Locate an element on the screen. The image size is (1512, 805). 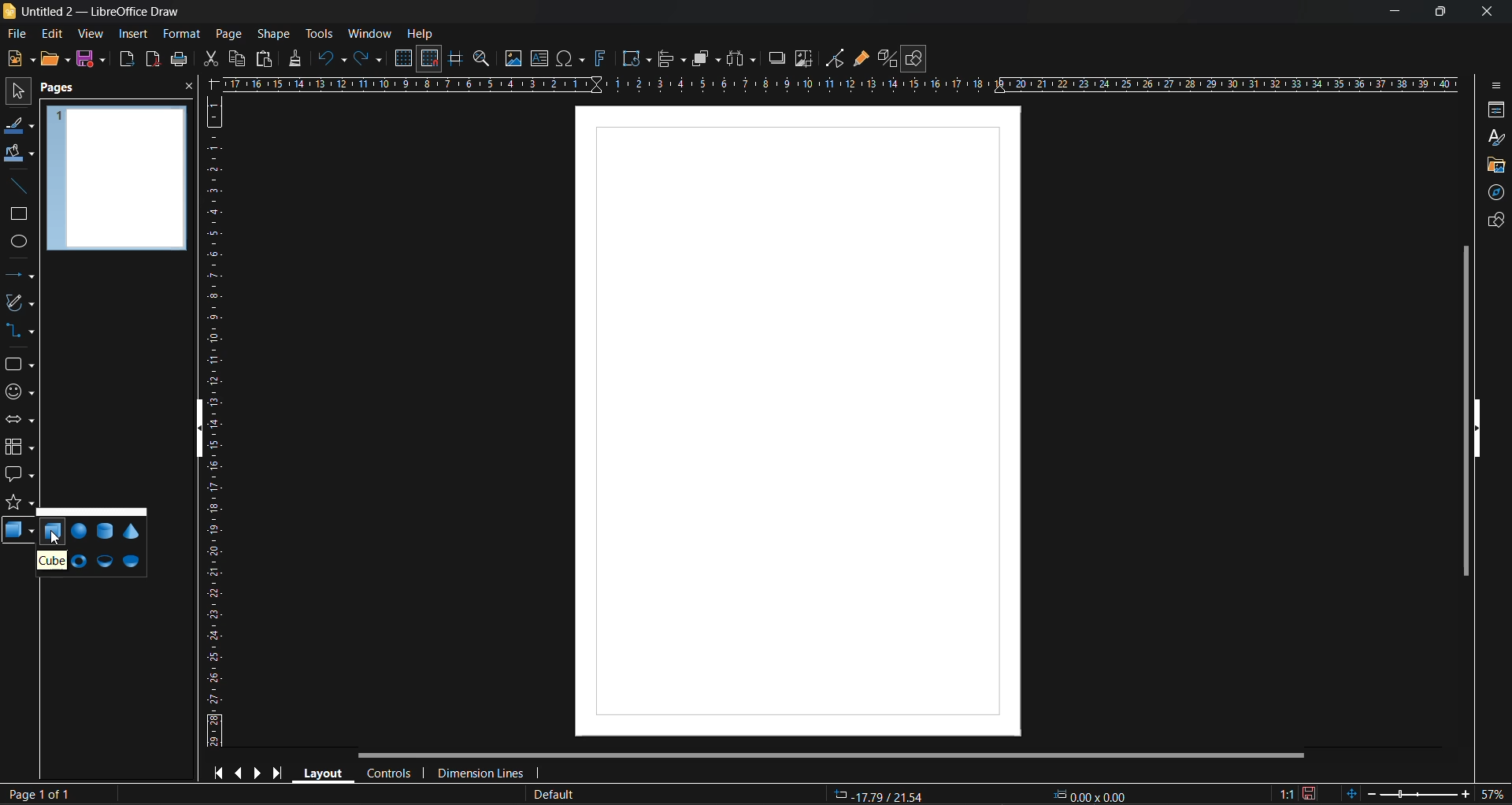
cursor is located at coordinates (57, 539).